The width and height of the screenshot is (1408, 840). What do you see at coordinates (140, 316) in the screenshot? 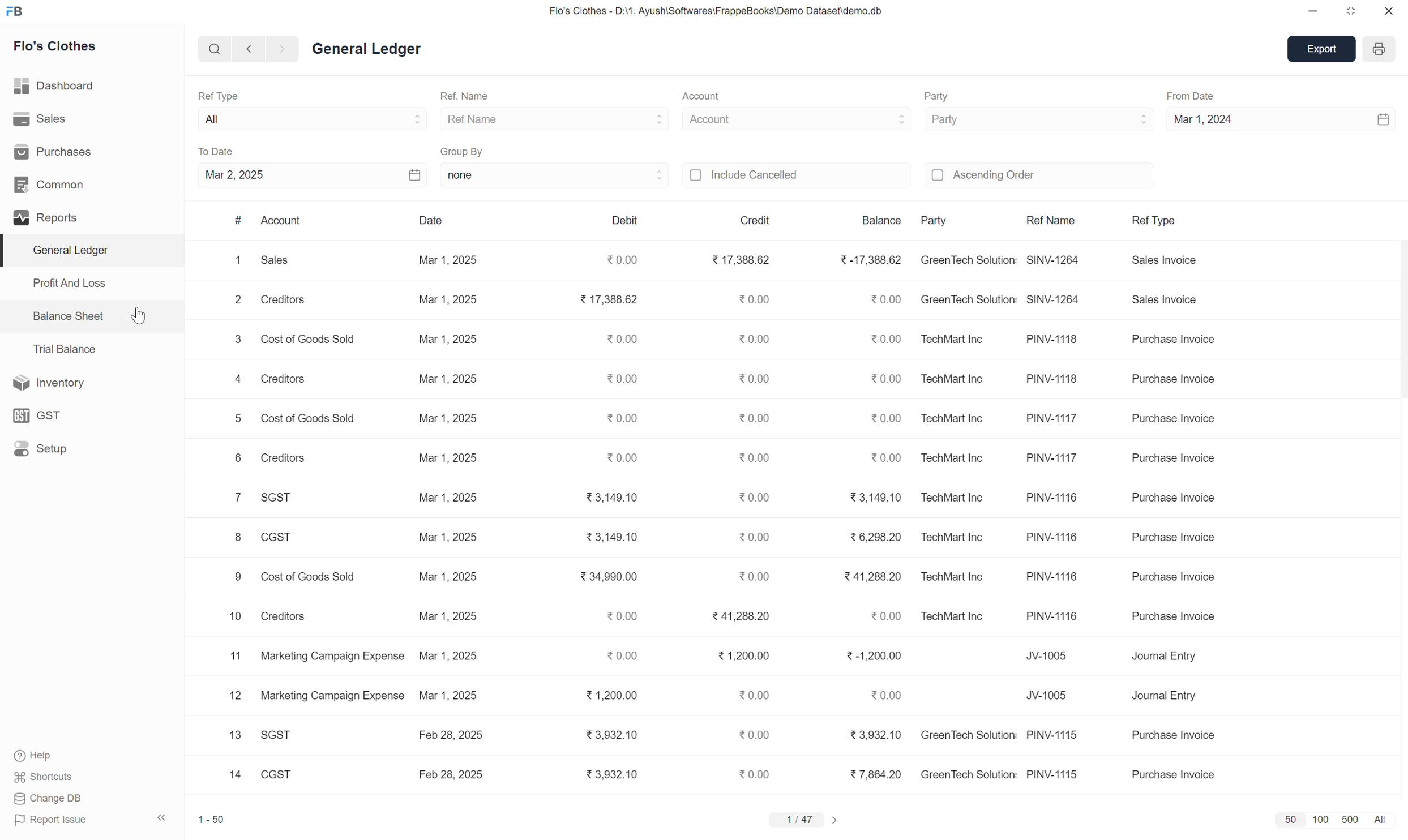
I see `cursor` at bounding box center [140, 316].